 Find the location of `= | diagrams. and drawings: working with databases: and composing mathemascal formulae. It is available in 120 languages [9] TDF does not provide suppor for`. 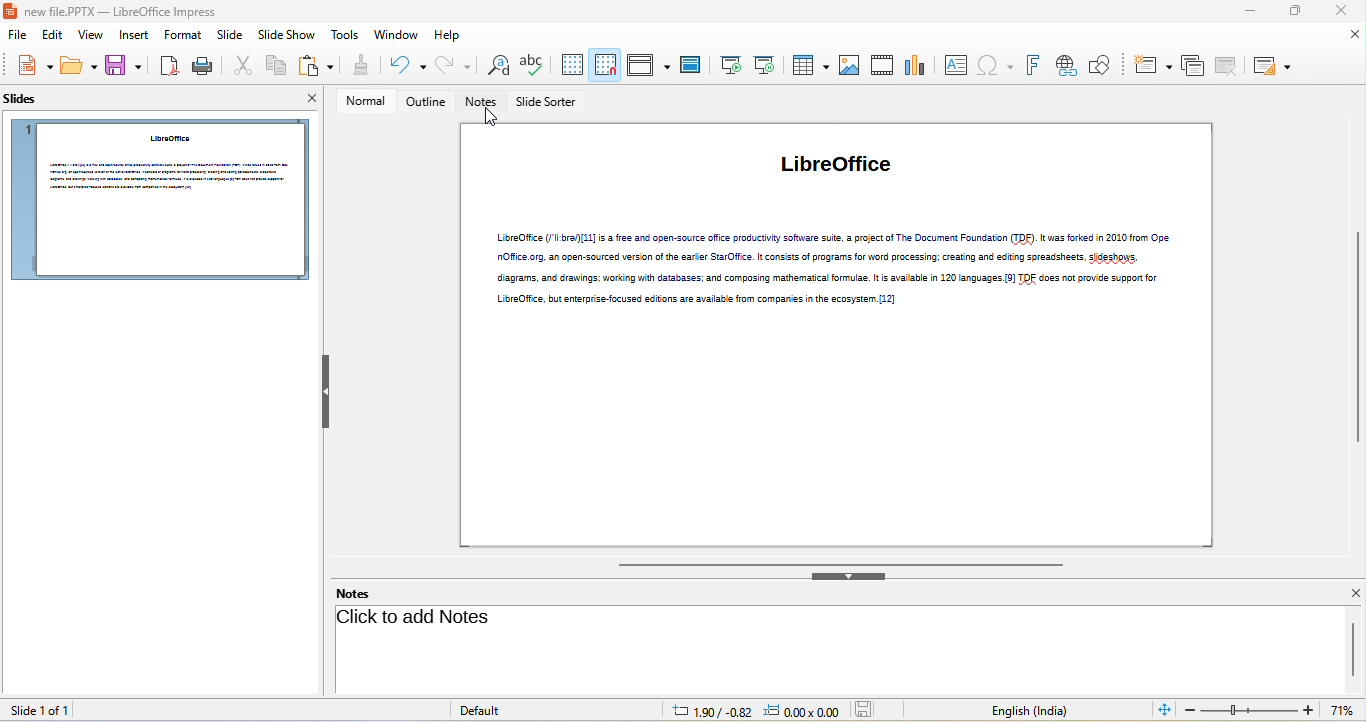

= | diagrams. and drawings: working with databases: and composing mathemascal formulae. It is available in 120 languages [9] TDF does not provide suppor for is located at coordinates (826, 279).